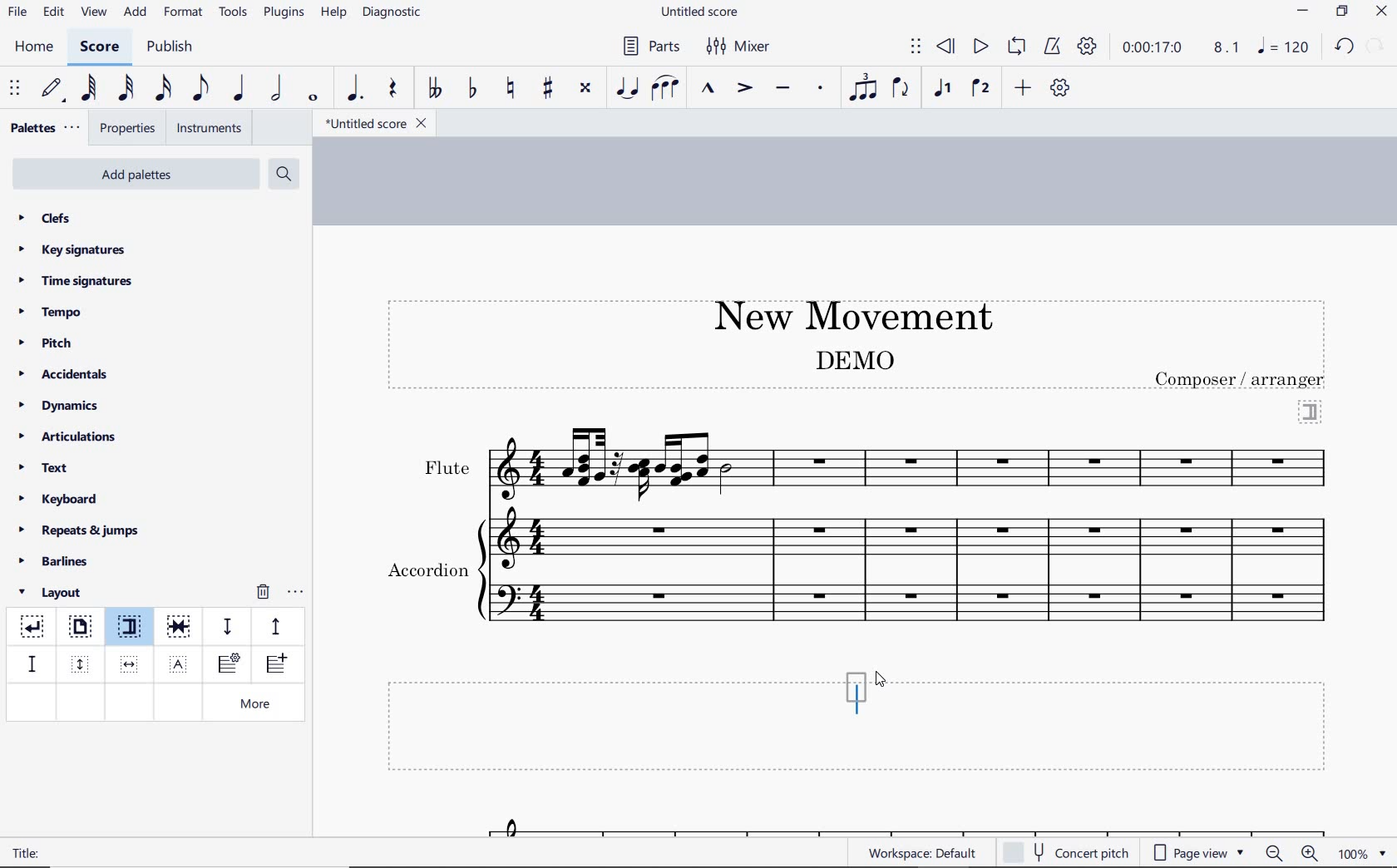 This screenshot has width=1397, height=868. What do you see at coordinates (1311, 410) in the screenshot?
I see `section break` at bounding box center [1311, 410].